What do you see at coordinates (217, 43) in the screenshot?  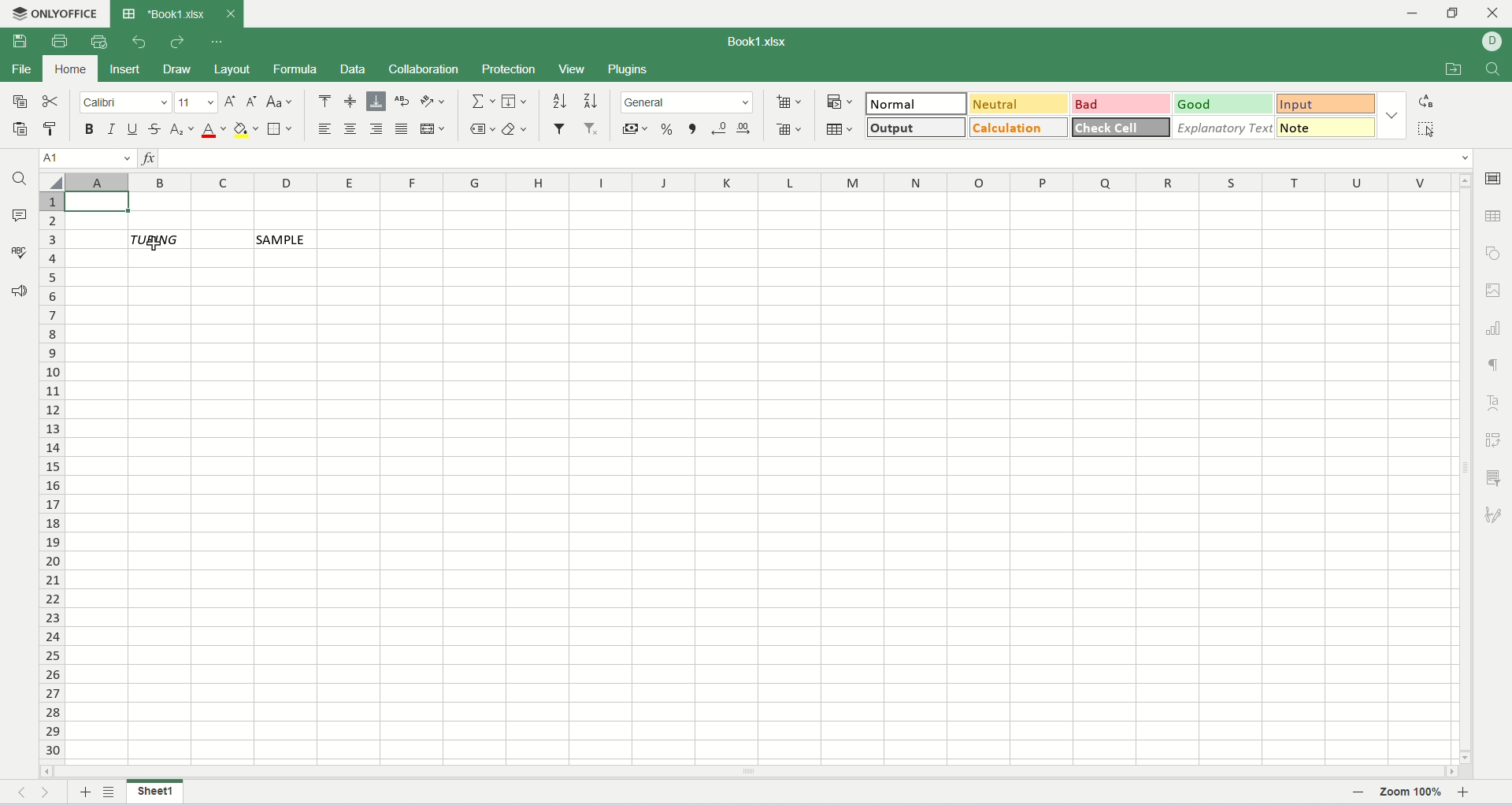 I see `quick settings` at bounding box center [217, 43].